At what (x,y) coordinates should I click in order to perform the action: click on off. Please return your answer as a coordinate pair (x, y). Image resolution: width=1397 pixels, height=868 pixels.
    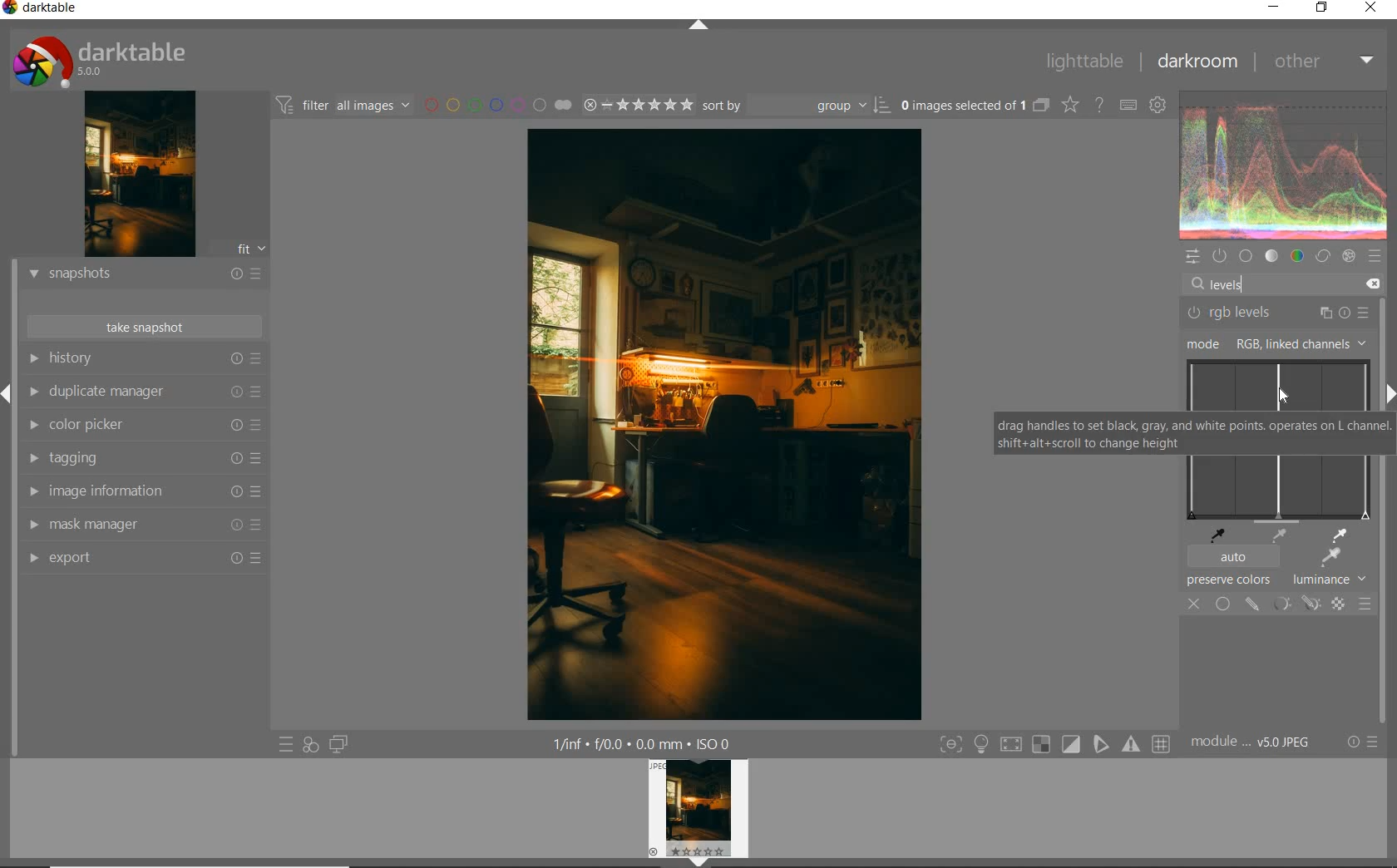
    Looking at the image, I should click on (1194, 604).